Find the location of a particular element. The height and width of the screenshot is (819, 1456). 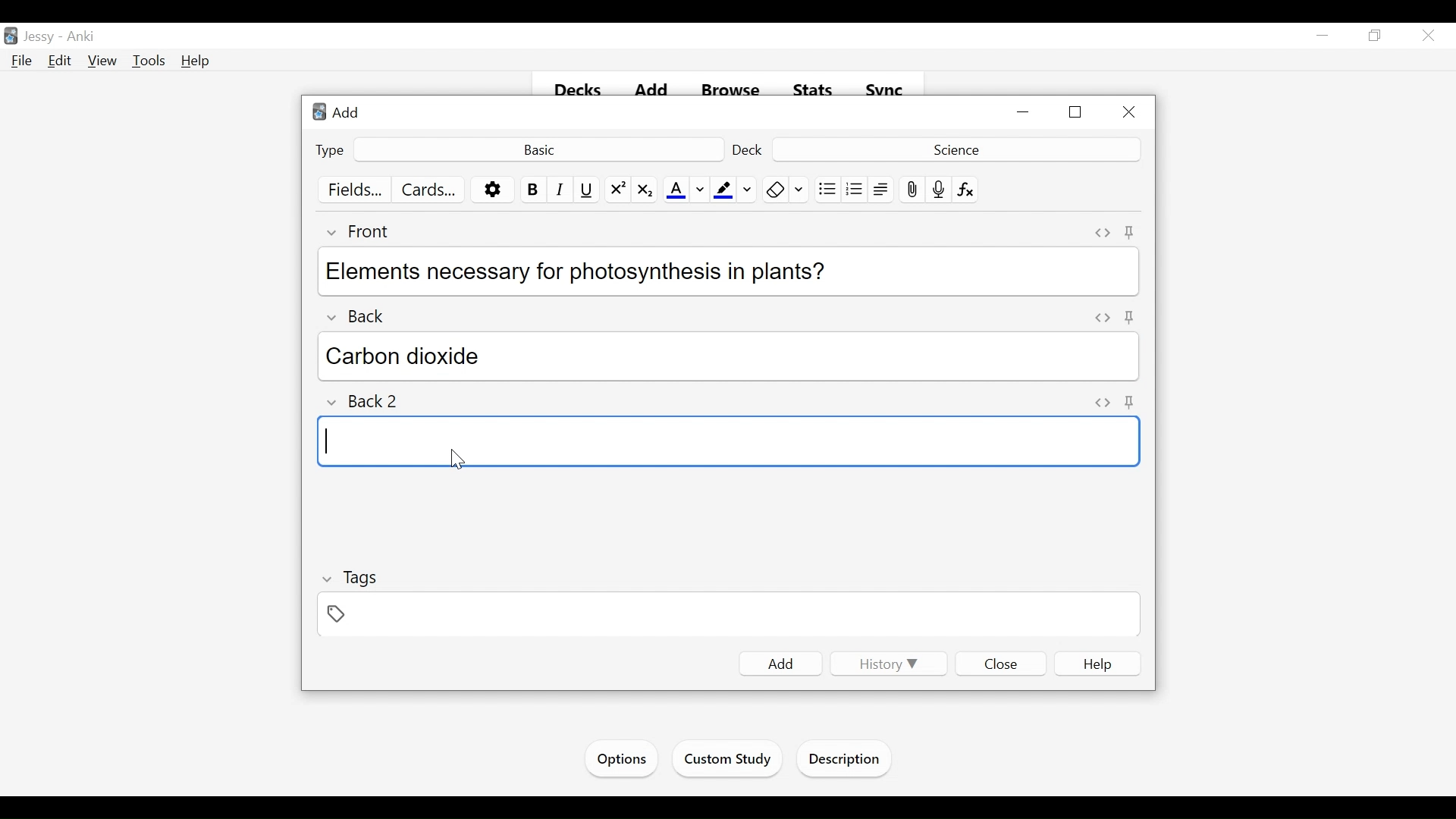

Anki is located at coordinates (81, 37).